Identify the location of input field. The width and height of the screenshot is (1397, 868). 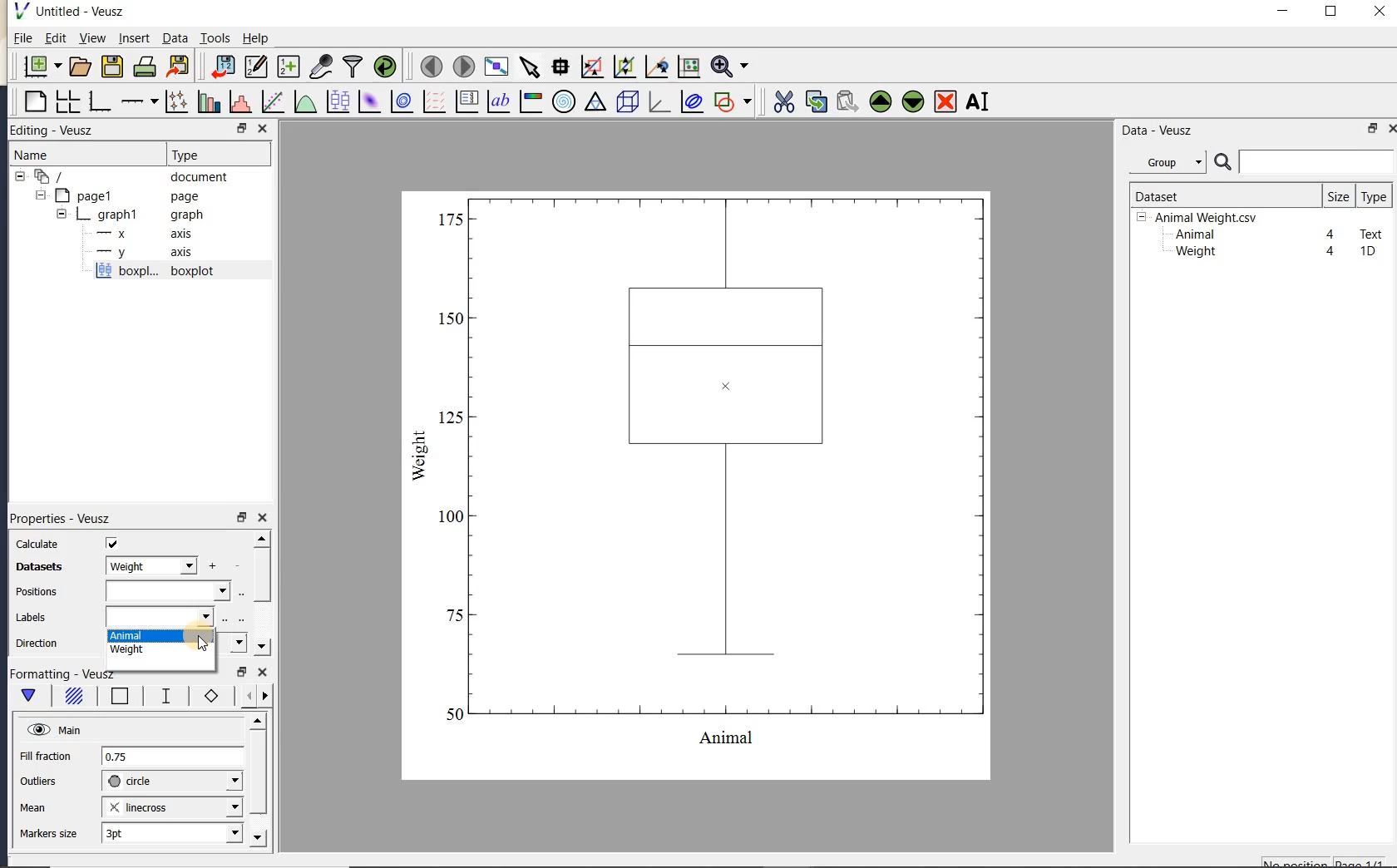
(167, 591).